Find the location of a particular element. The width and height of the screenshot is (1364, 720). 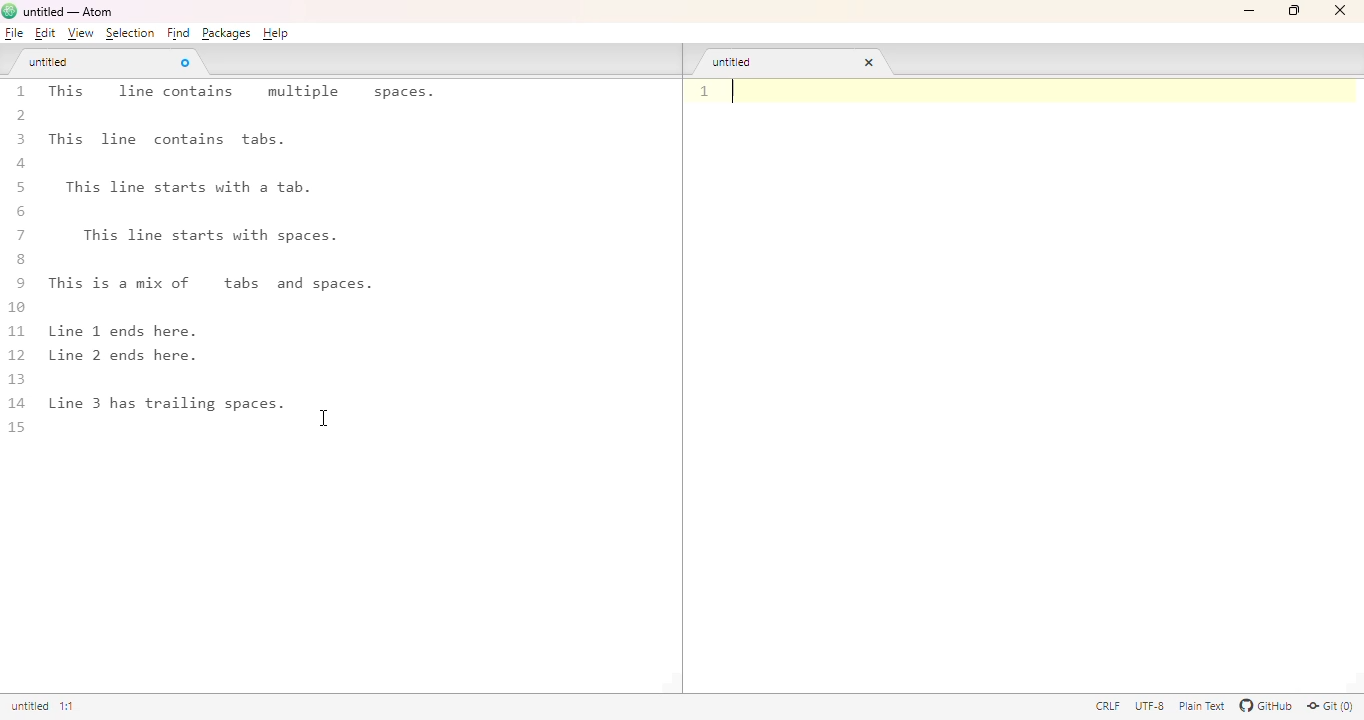

untitled is located at coordinates (737, 62).